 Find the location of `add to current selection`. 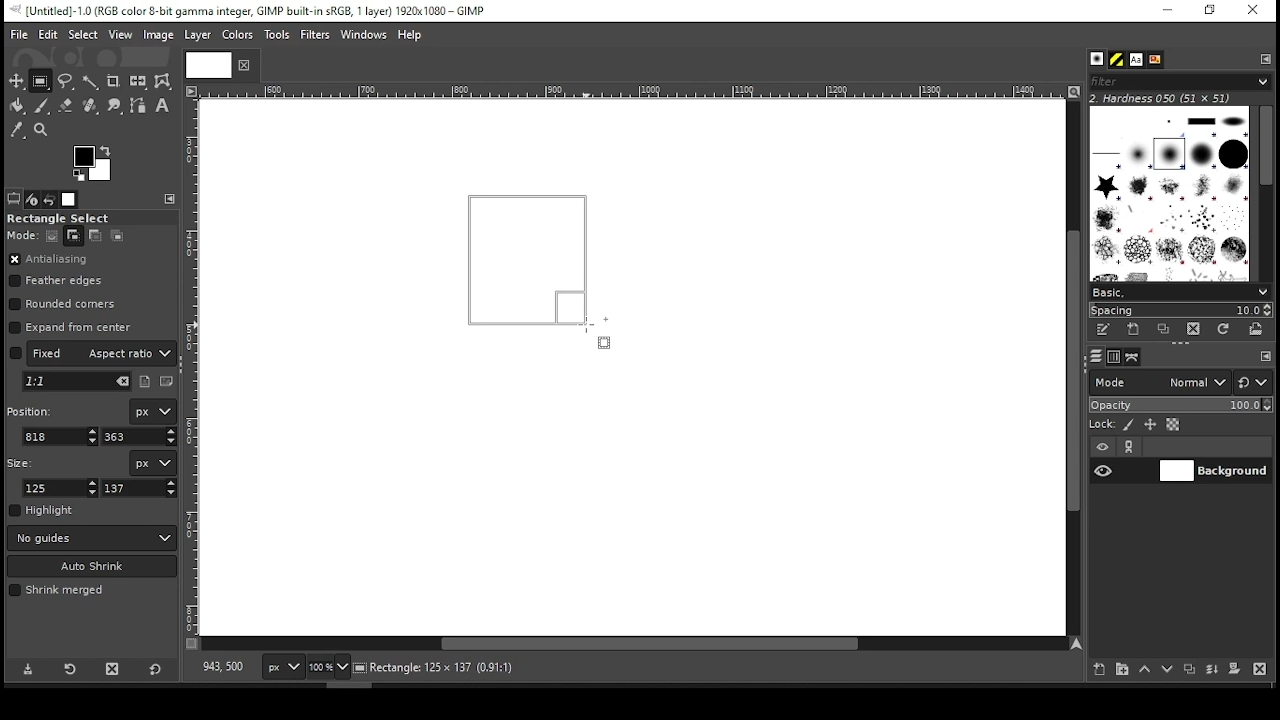

add to current selection is located at coordinates (74, 236).